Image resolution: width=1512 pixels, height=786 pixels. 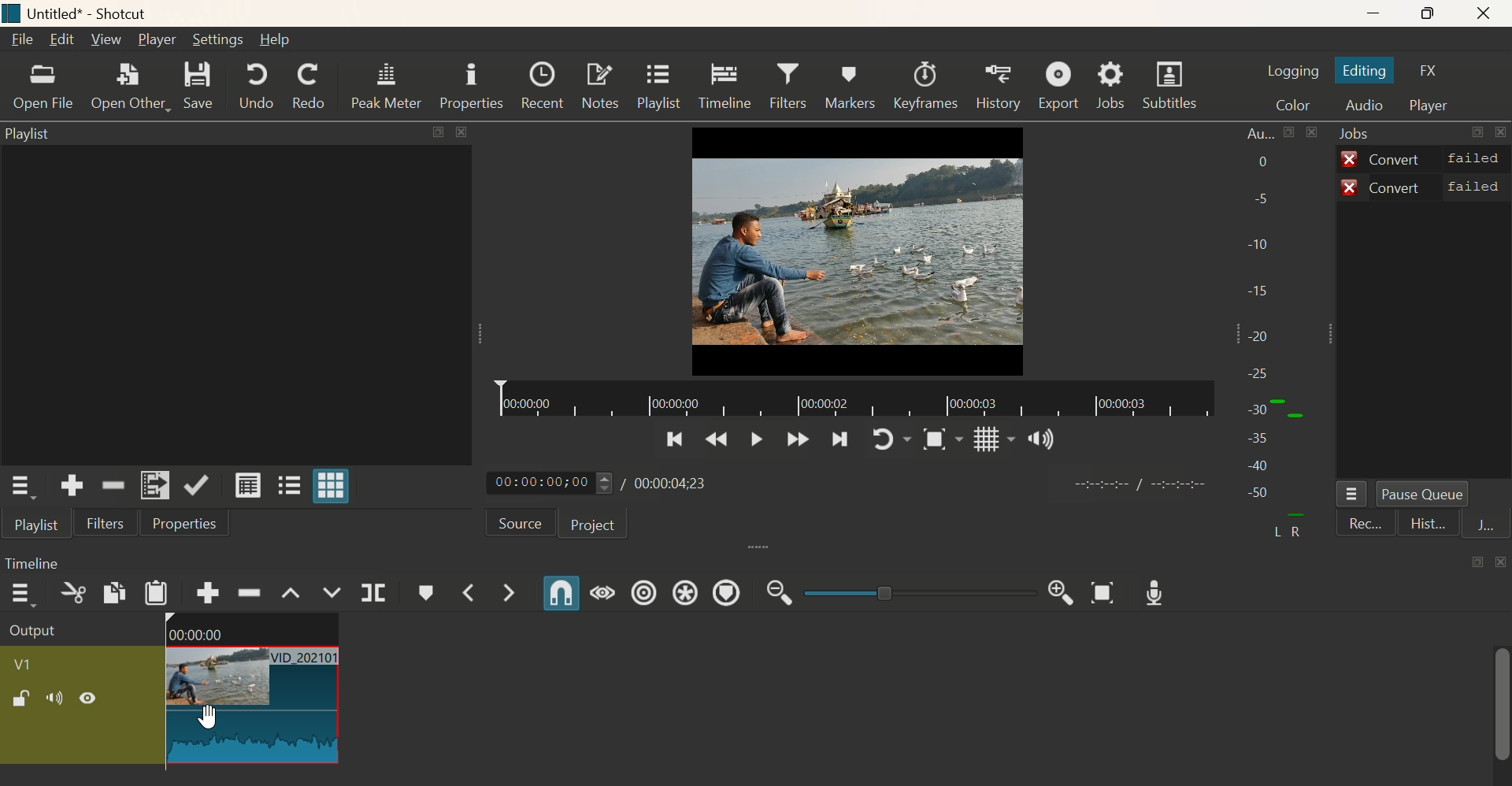 I want to click on Previous Marker, so click(x=477, y=593).